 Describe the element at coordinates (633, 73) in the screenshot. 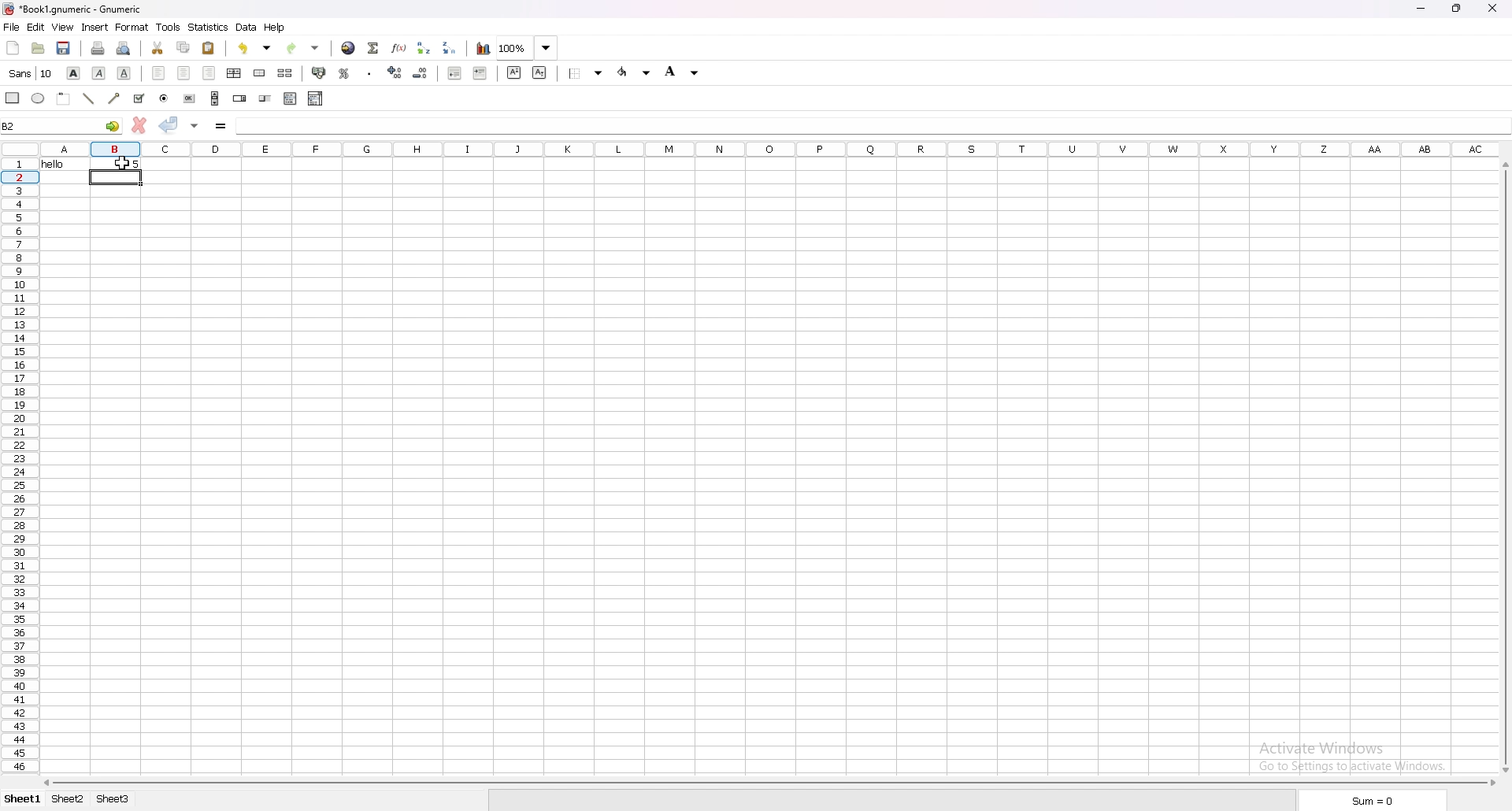

I see `background` at that location.